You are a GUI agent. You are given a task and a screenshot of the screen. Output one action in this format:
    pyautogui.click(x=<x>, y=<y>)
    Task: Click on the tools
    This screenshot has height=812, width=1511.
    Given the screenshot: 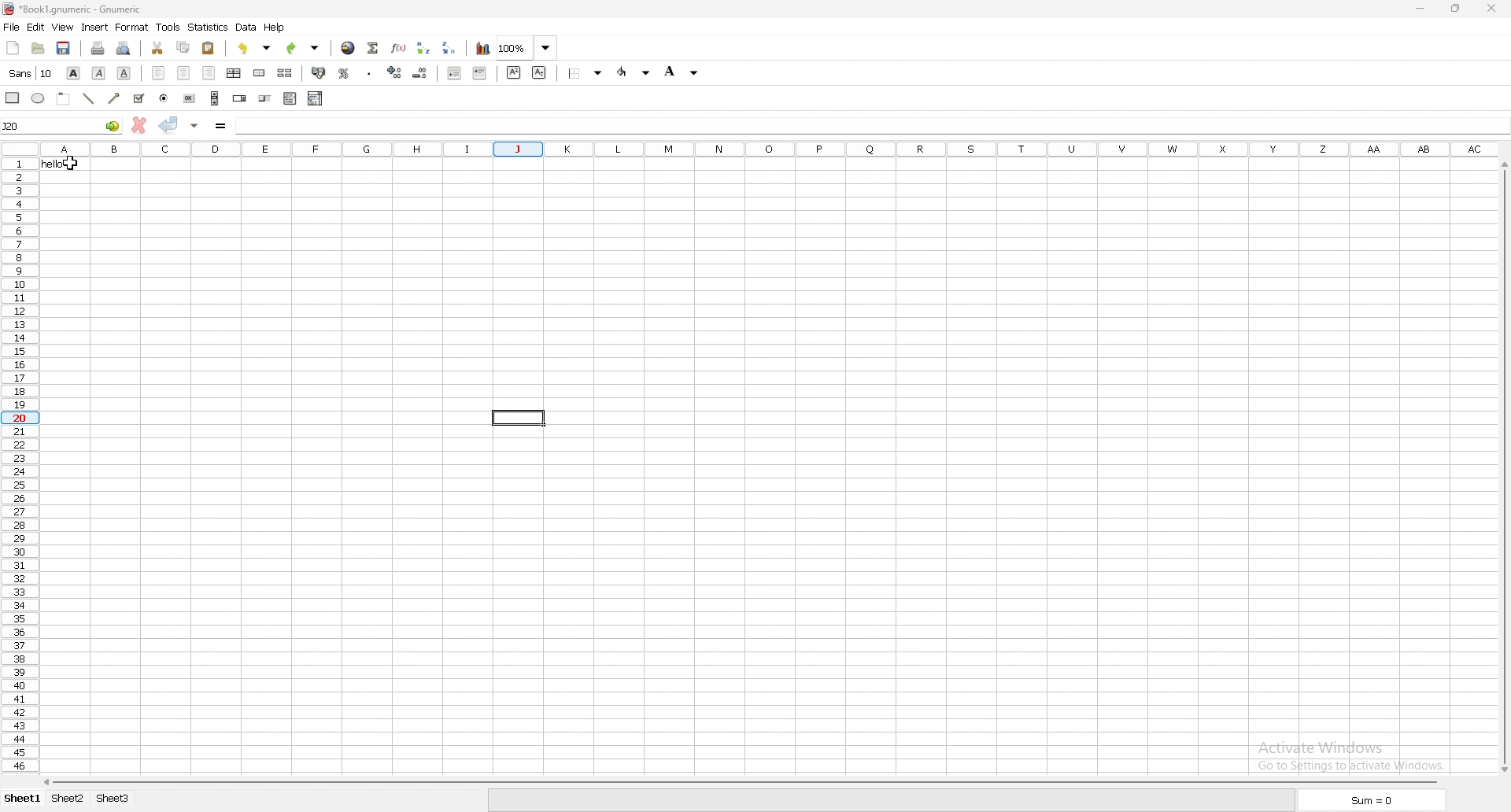 What is the action you would take?
    pyautogui.click(x=168, y=28)
    